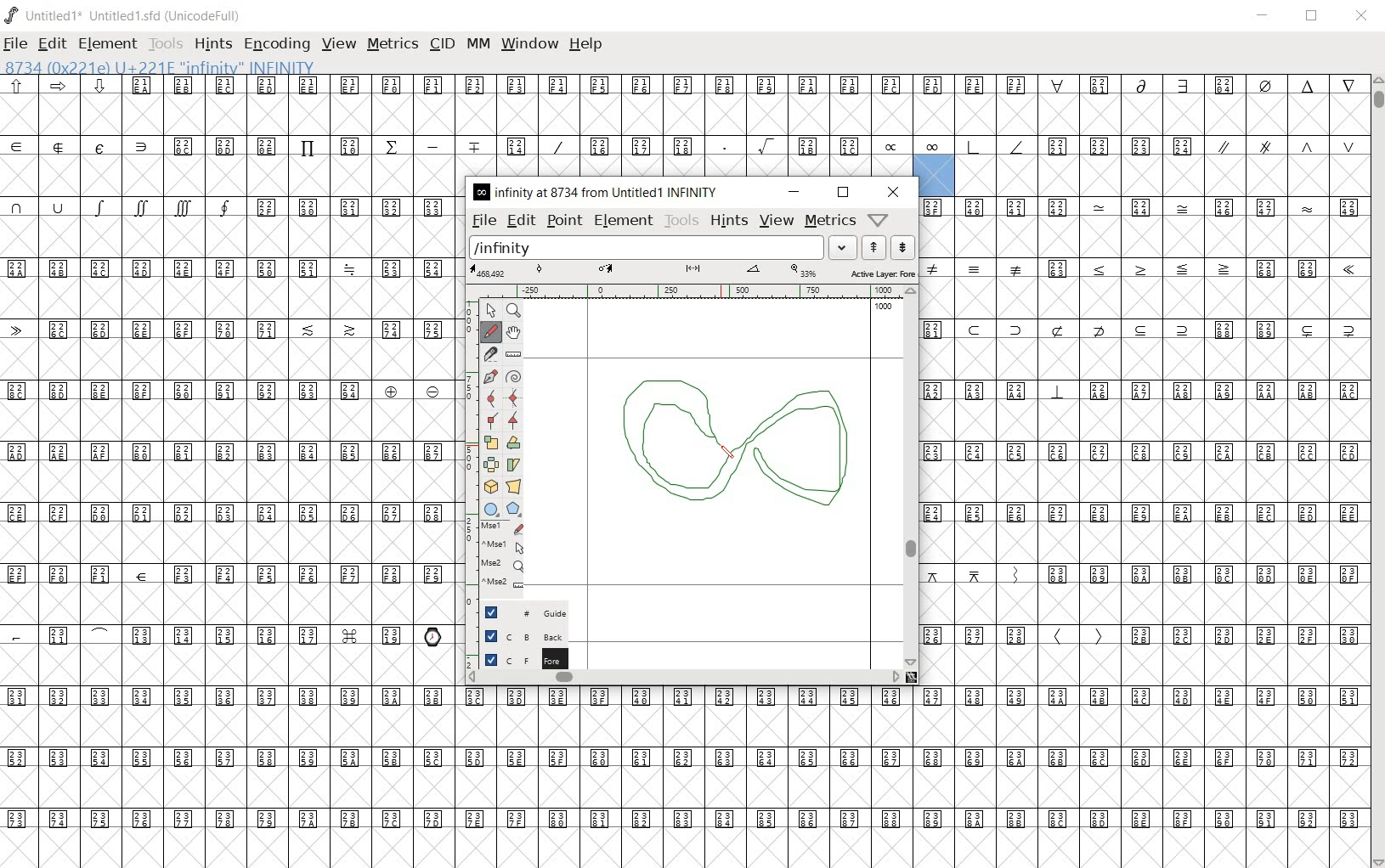 This screenshot has width=1385, height=868. I want to click on Unicode code points, so click(1222, 390).